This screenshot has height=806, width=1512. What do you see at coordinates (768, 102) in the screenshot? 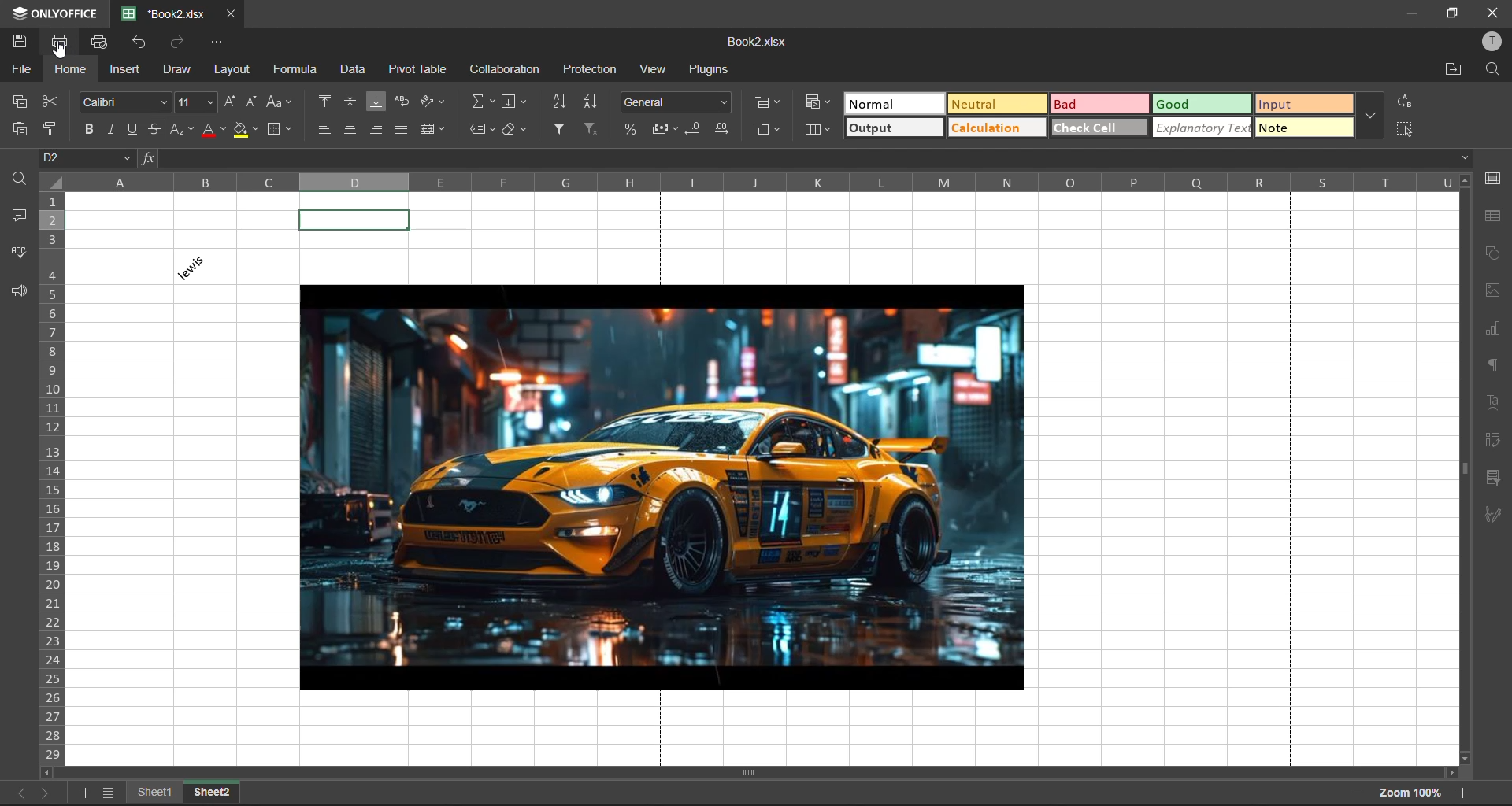
I see `insert cells` at bounding box center [768, 102].